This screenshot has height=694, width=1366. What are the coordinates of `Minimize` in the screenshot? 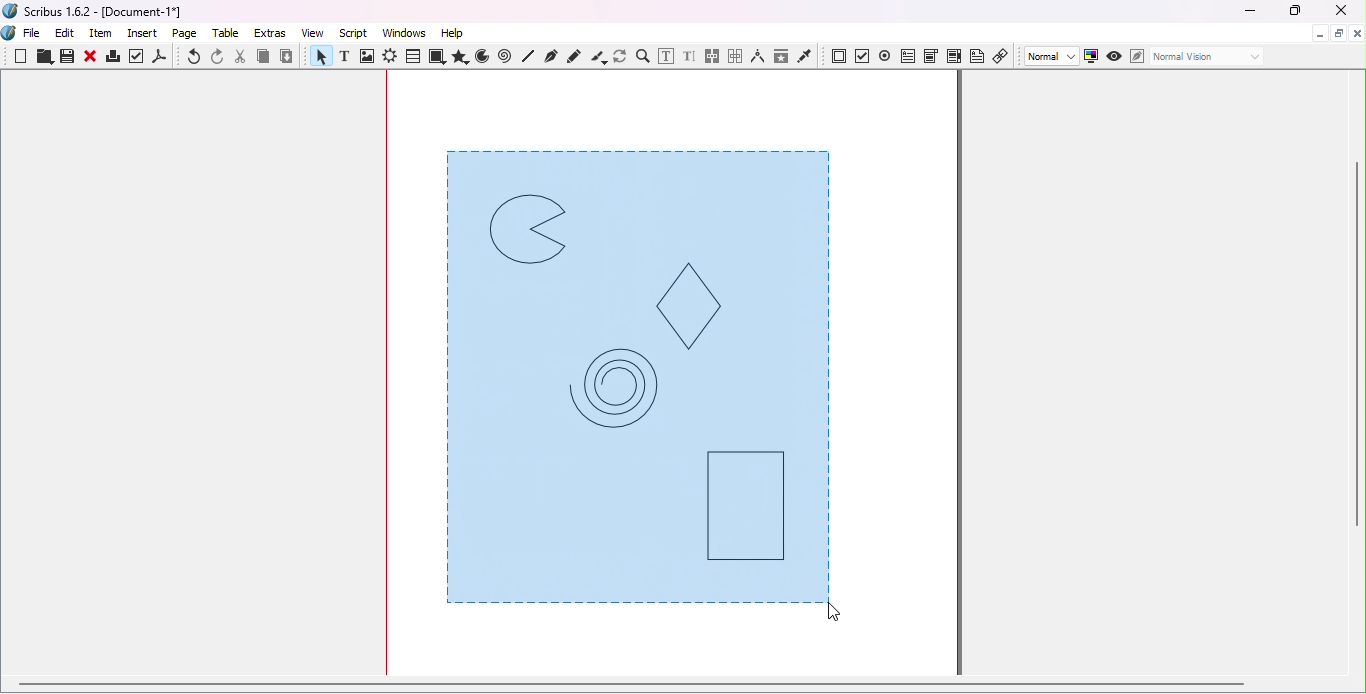 It's located at (1249, 12).